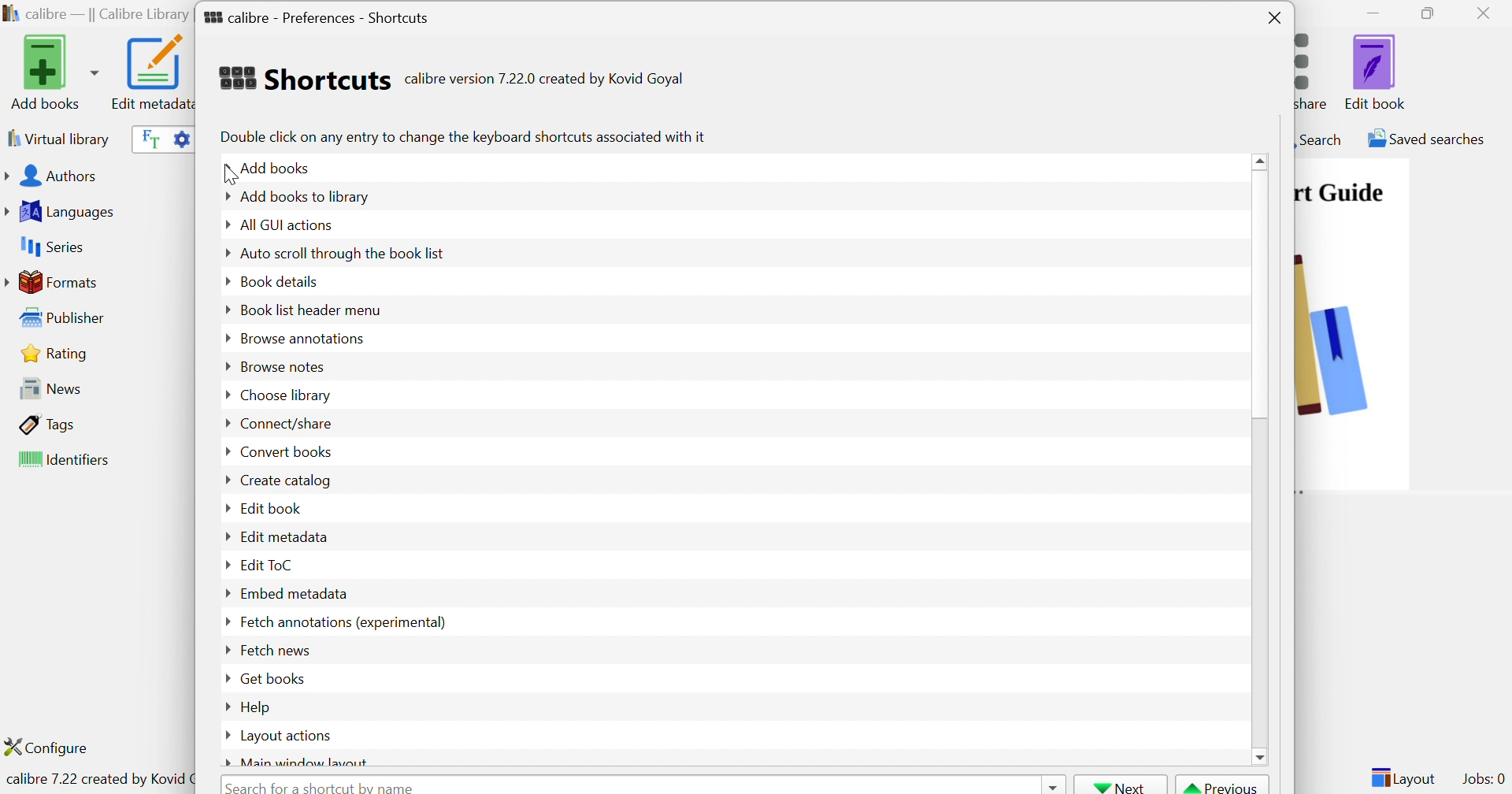 The image size is (1512, 794). Describe the element at coordinates (544, 80) in the screenshot. I see `calibre version 7.22.0 created by Kovid Goyal` at that location.